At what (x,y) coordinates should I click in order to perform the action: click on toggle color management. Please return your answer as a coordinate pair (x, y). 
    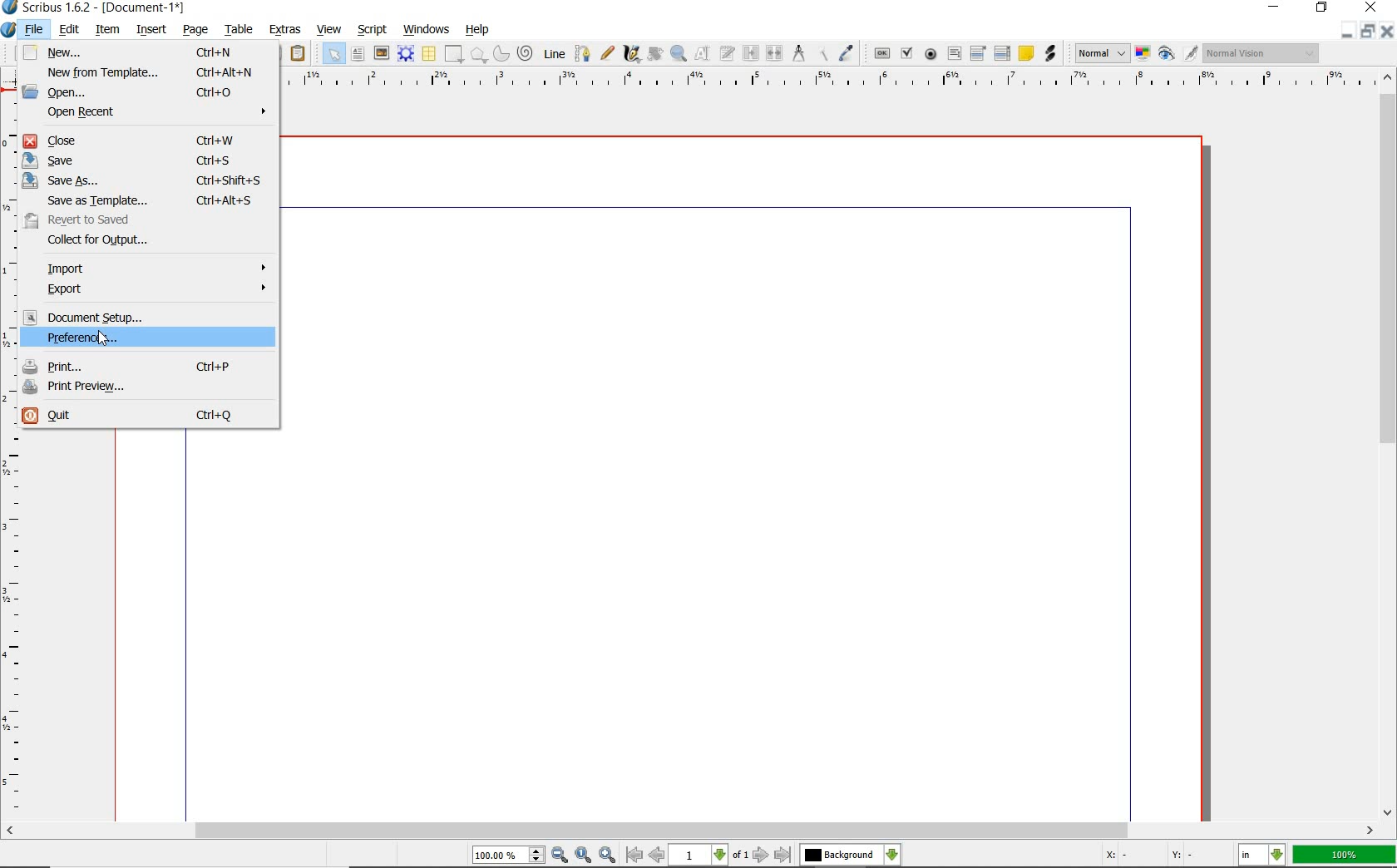
    Looking at the image, I should click on (1143, 52).